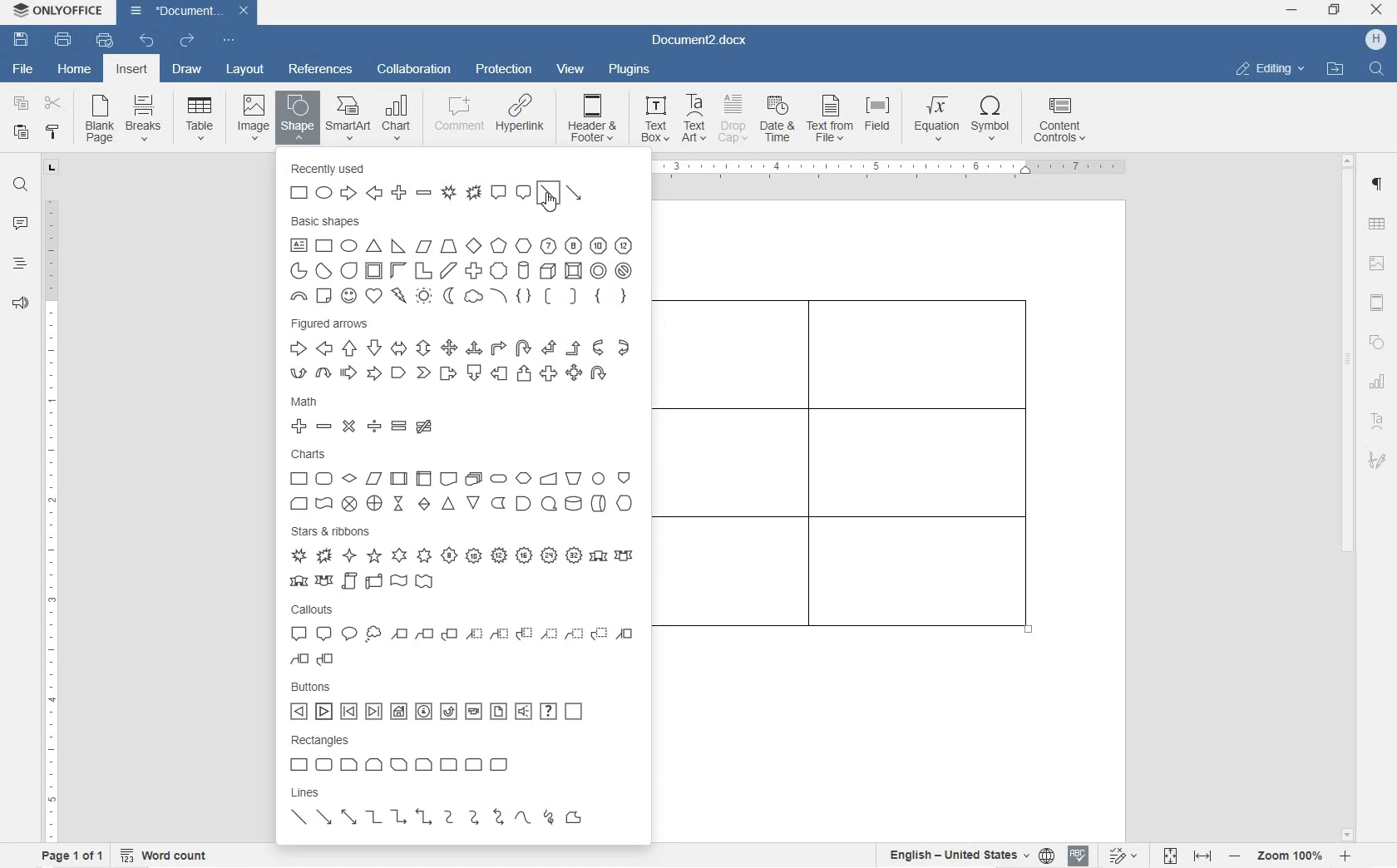 The height and width of the screenshot is (868, 1397). I want to click on undo, so click(146, 41).